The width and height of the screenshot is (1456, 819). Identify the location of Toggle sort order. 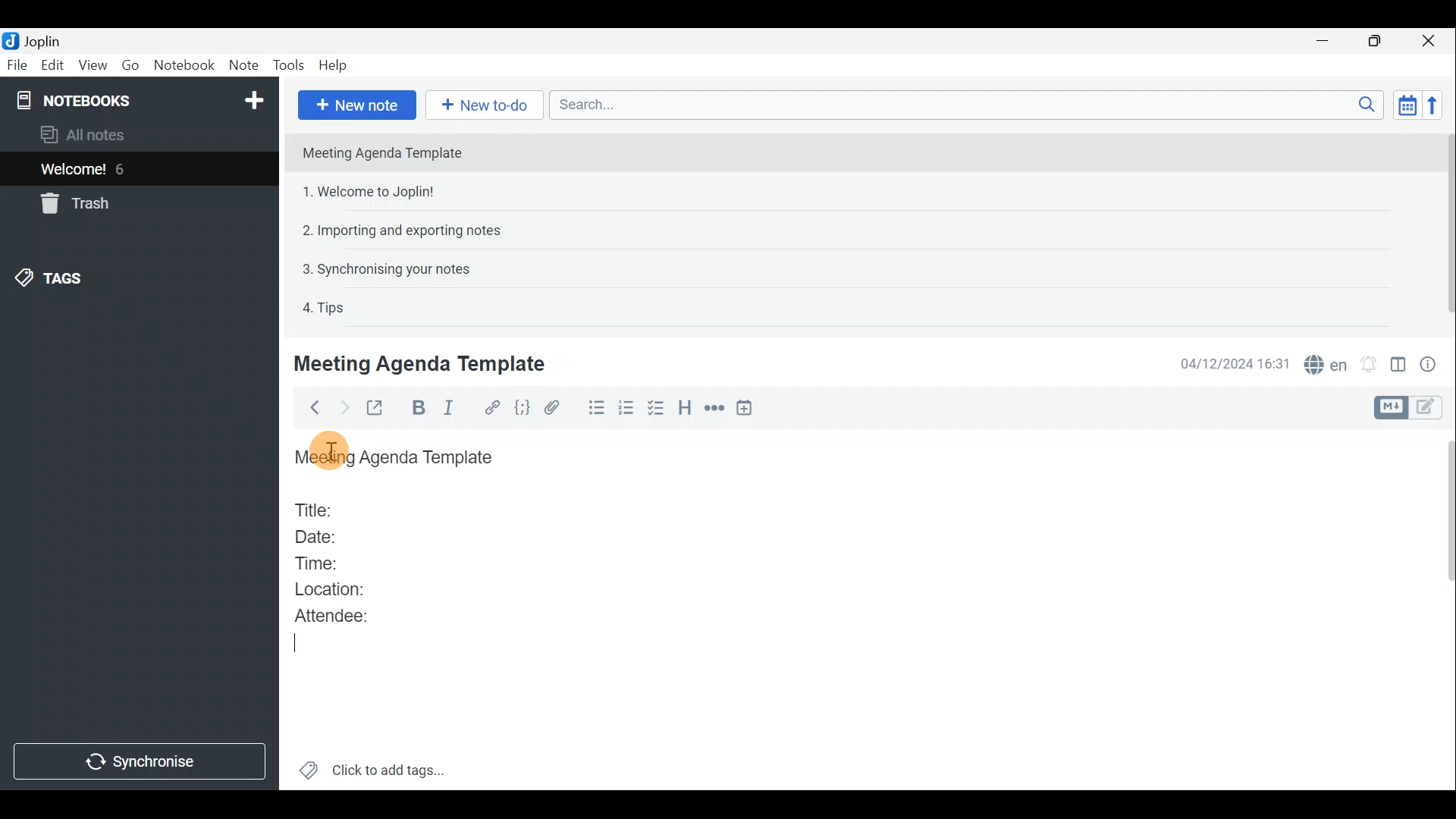
(1404, 103).